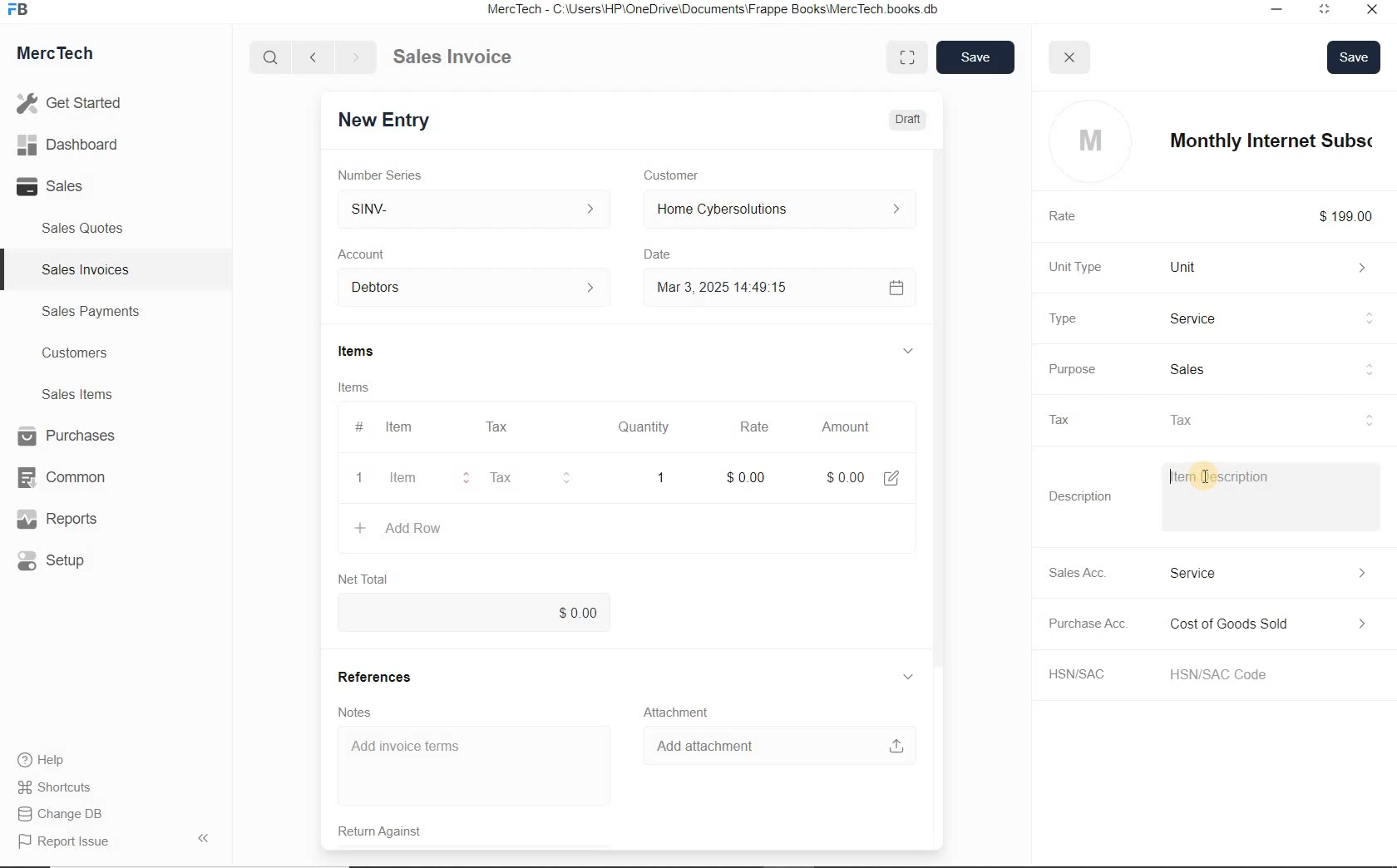 Image resolution: width=1397 pixels, height=868 pixels. I want to click on Description, so click(1073, 496).